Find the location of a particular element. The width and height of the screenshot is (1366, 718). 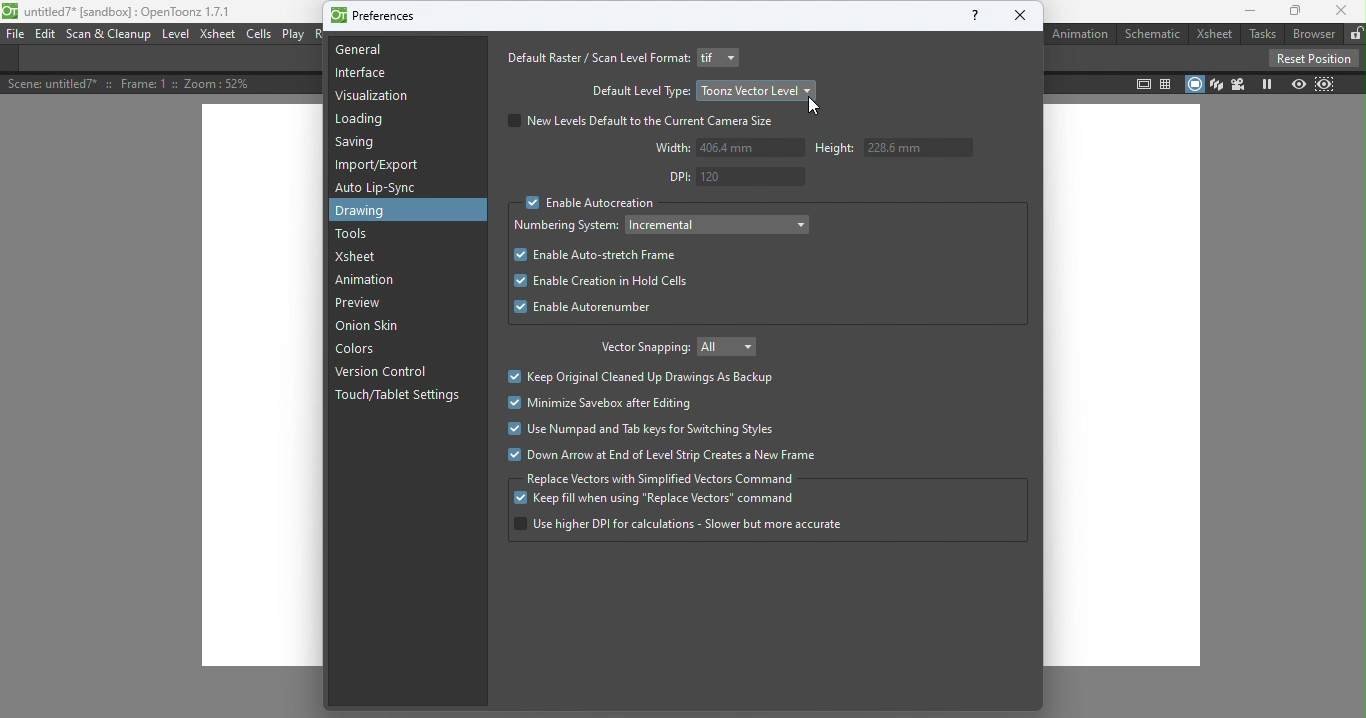

Preview is located at coordinates (358, 302).